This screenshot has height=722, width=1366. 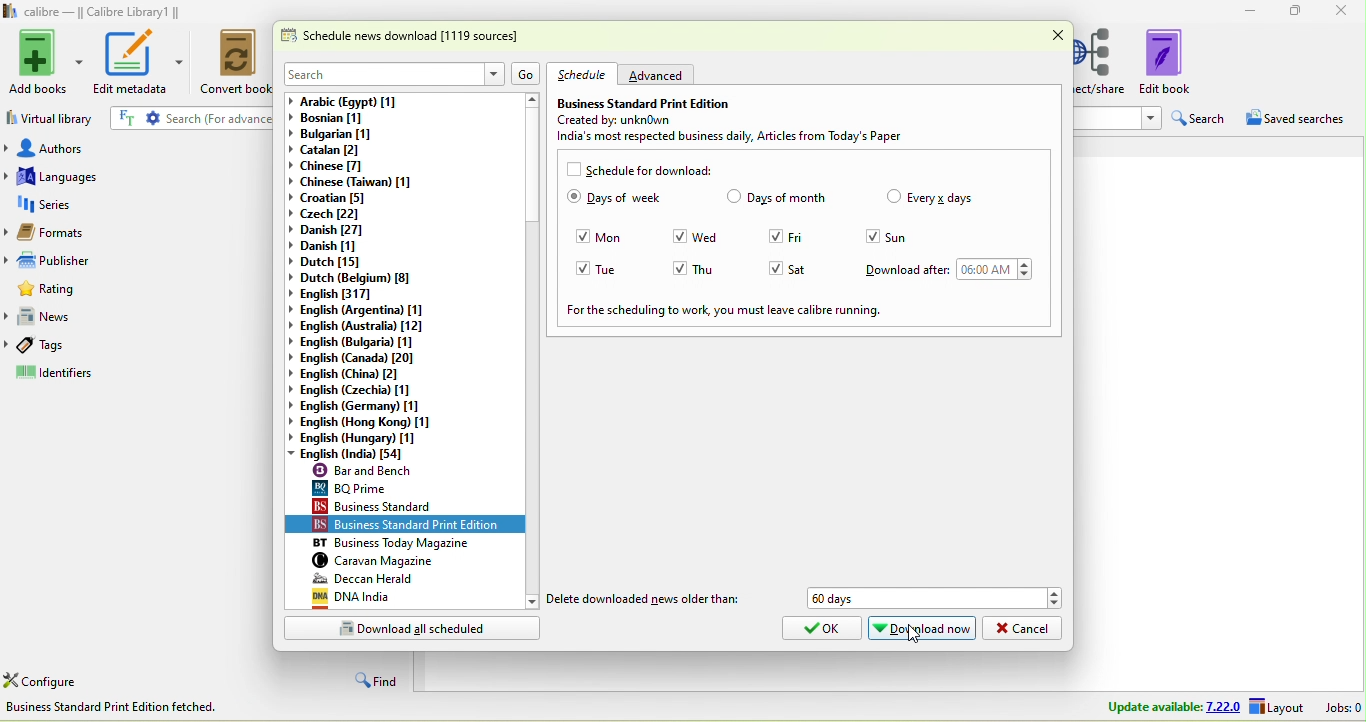 What do you see at coordinates (378, 73) in the screenshot?
I see `search` at bounding box center [378, 73].